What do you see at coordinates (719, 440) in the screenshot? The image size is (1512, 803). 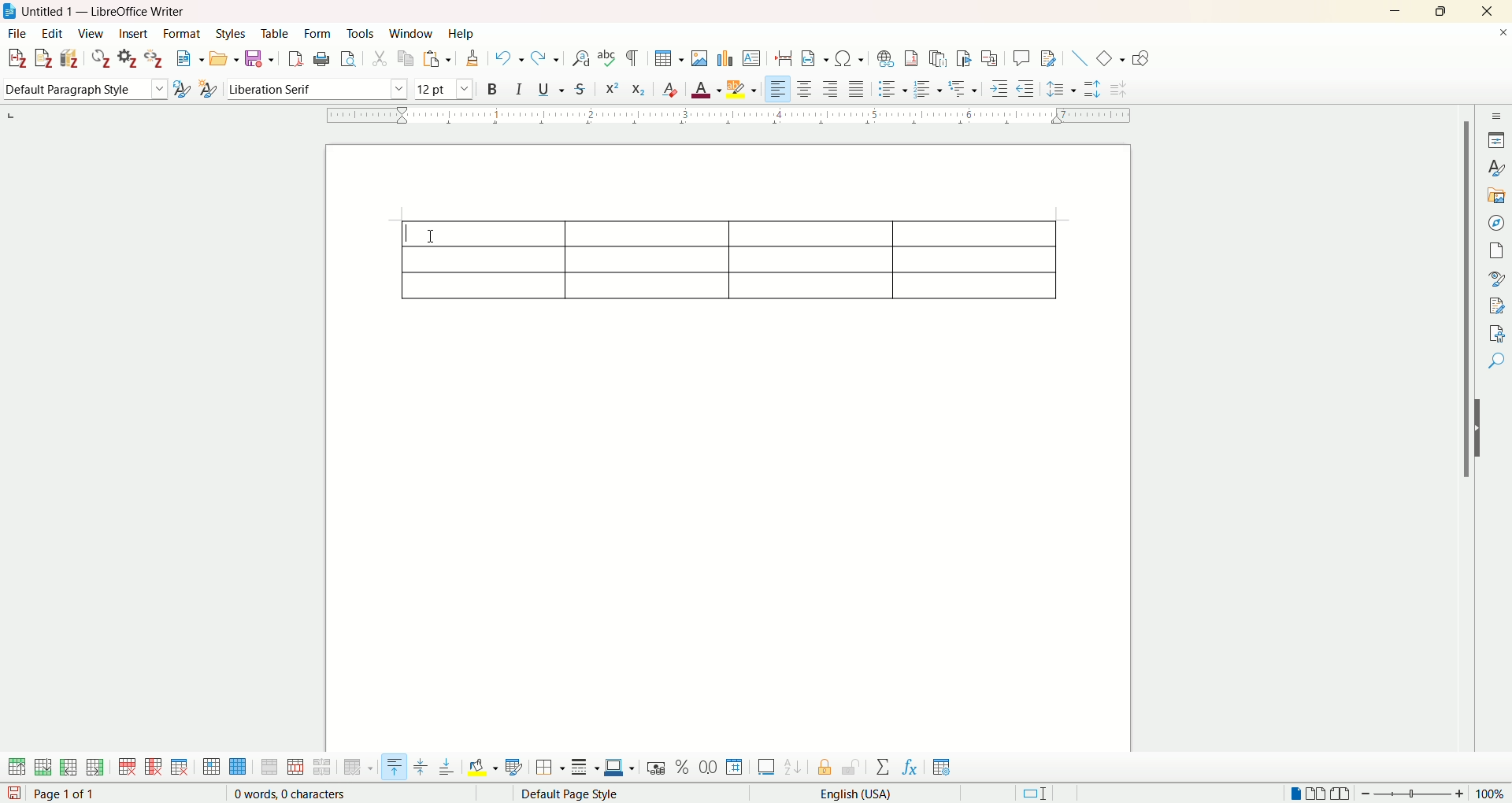 I see `page` at bounding box center [719, 440].